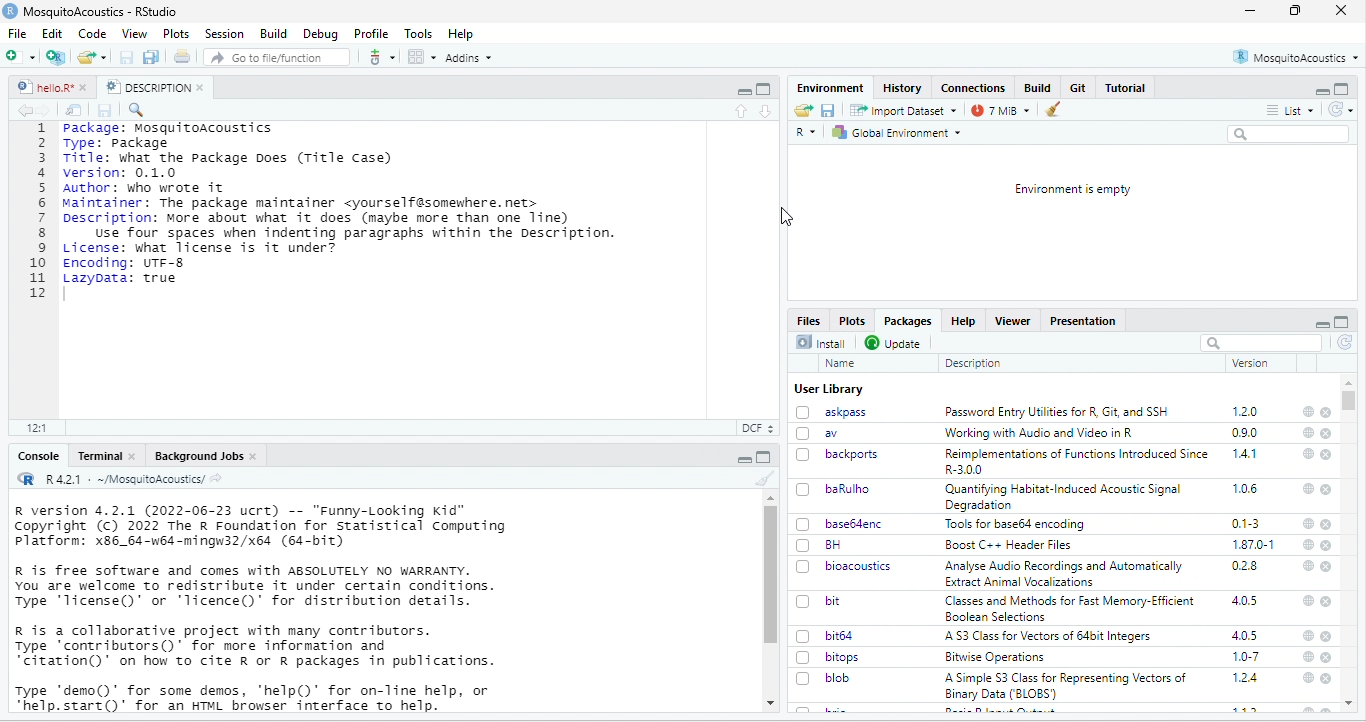 The height and width of the screenshot is (722, 1366). What do you see at coordinates (1069, 608) in the screenshot?
I see `Classes and Methods for Fast Memory-Efficient Boolean Selections` at bounding box center [1069, 608].